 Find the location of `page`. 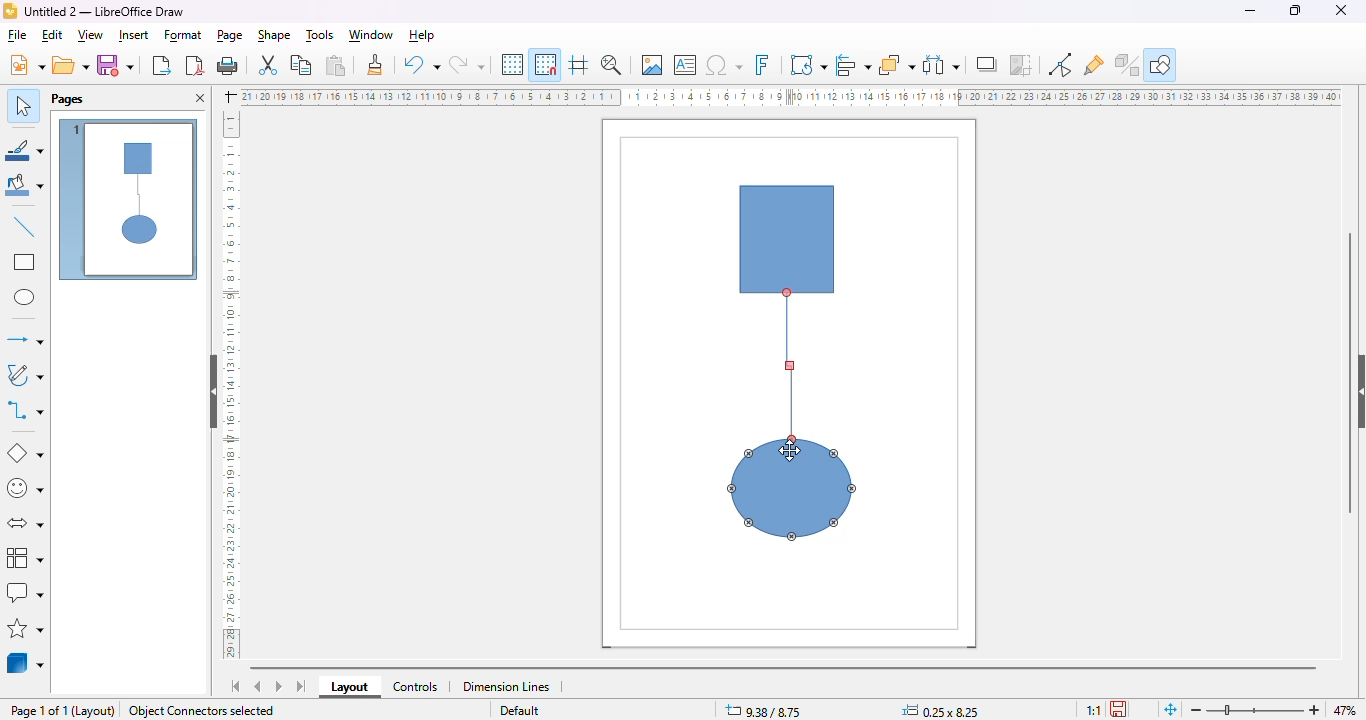

page is located at coordinates (231, 35).